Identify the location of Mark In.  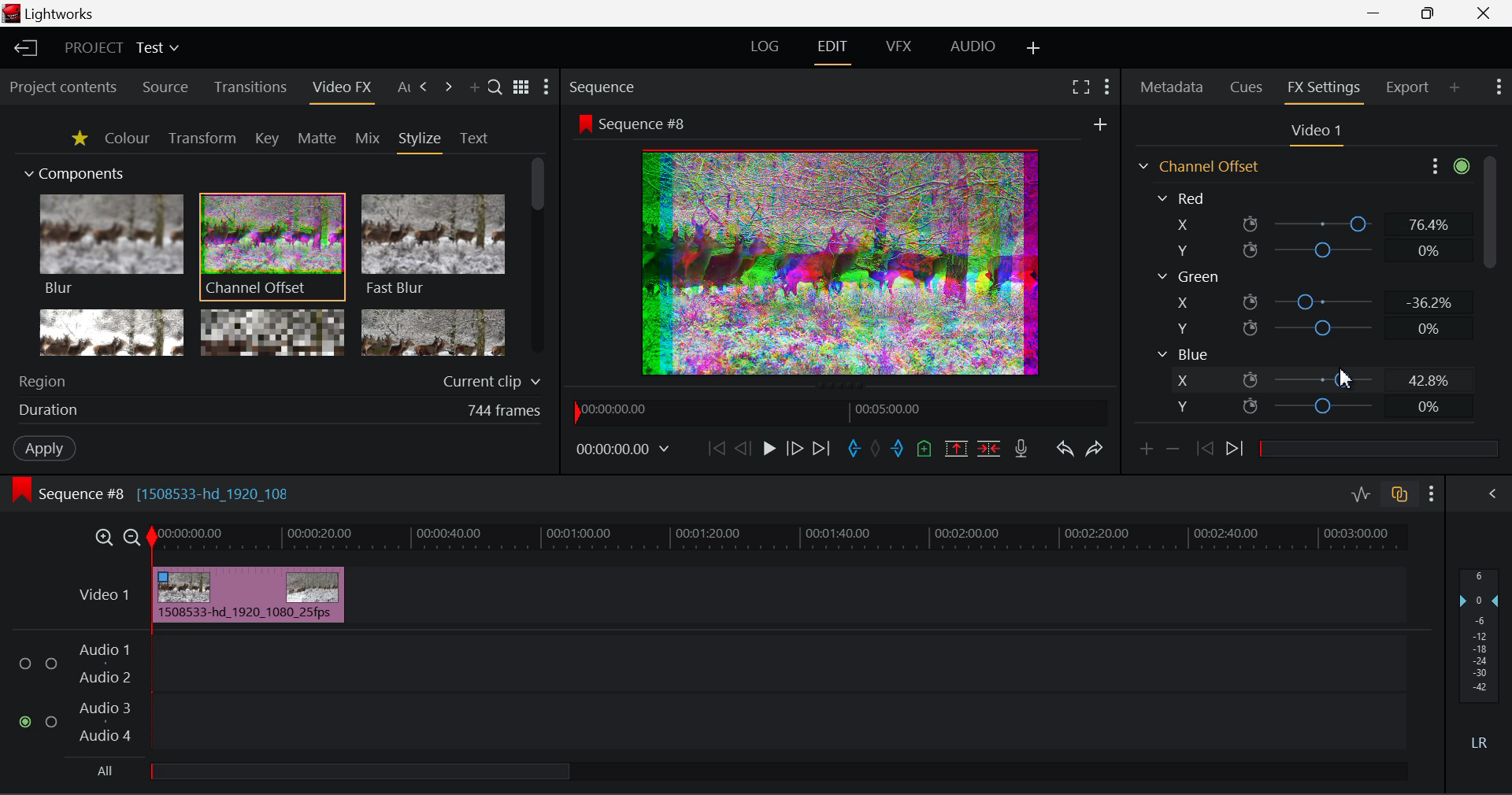
(854, 449).